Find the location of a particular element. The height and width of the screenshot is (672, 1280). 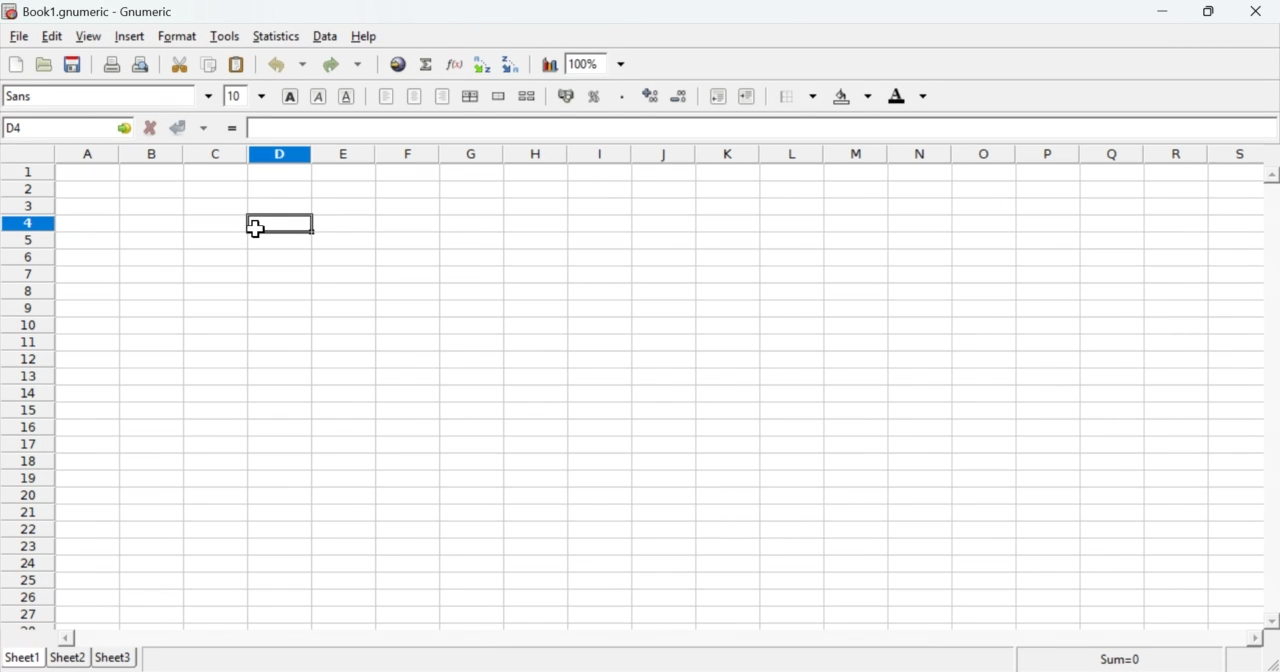

Print preview is located at coordinates (143, 64).